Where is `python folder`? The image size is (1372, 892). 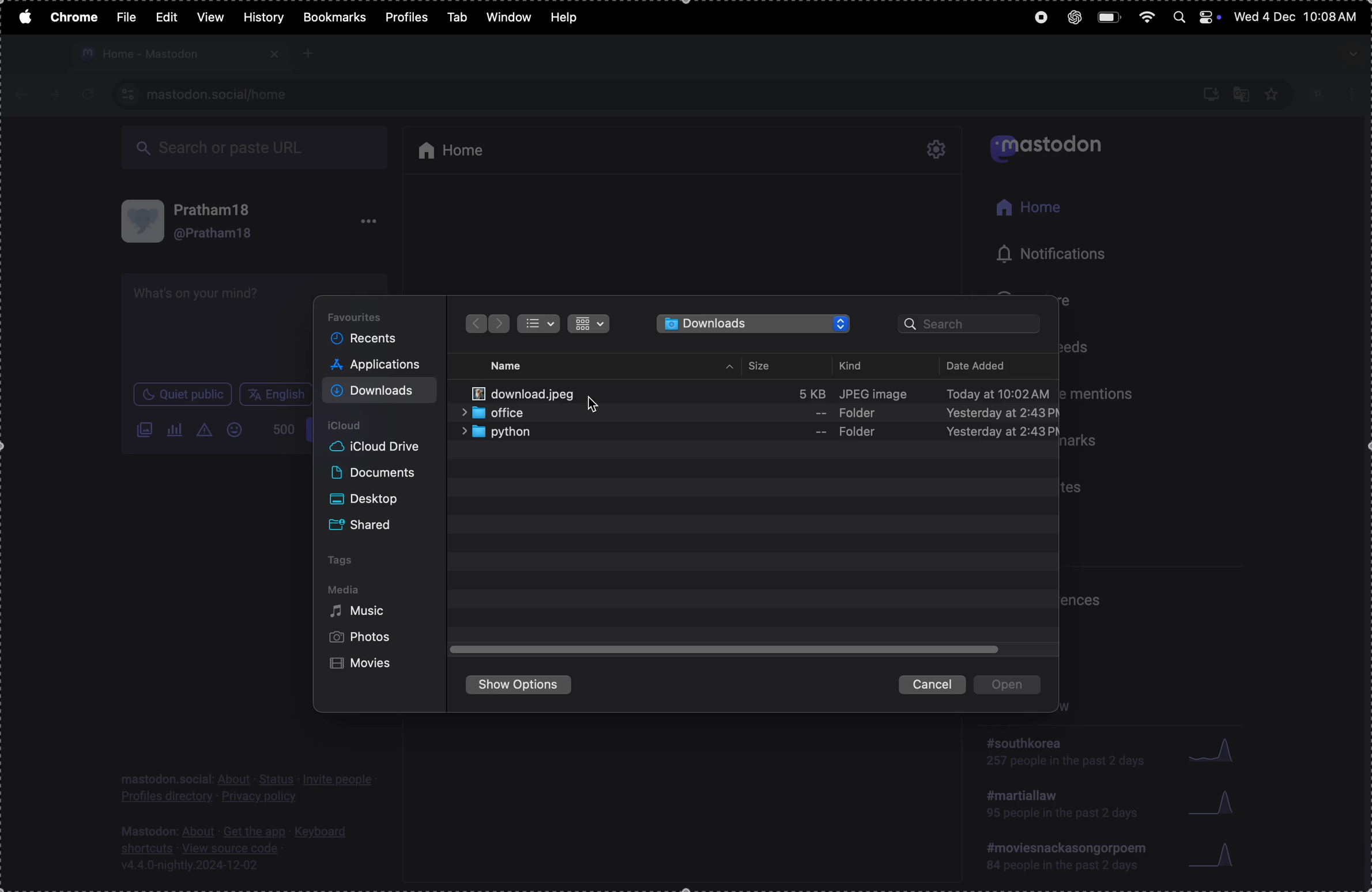
python folder is located at coordinates (757, 433).